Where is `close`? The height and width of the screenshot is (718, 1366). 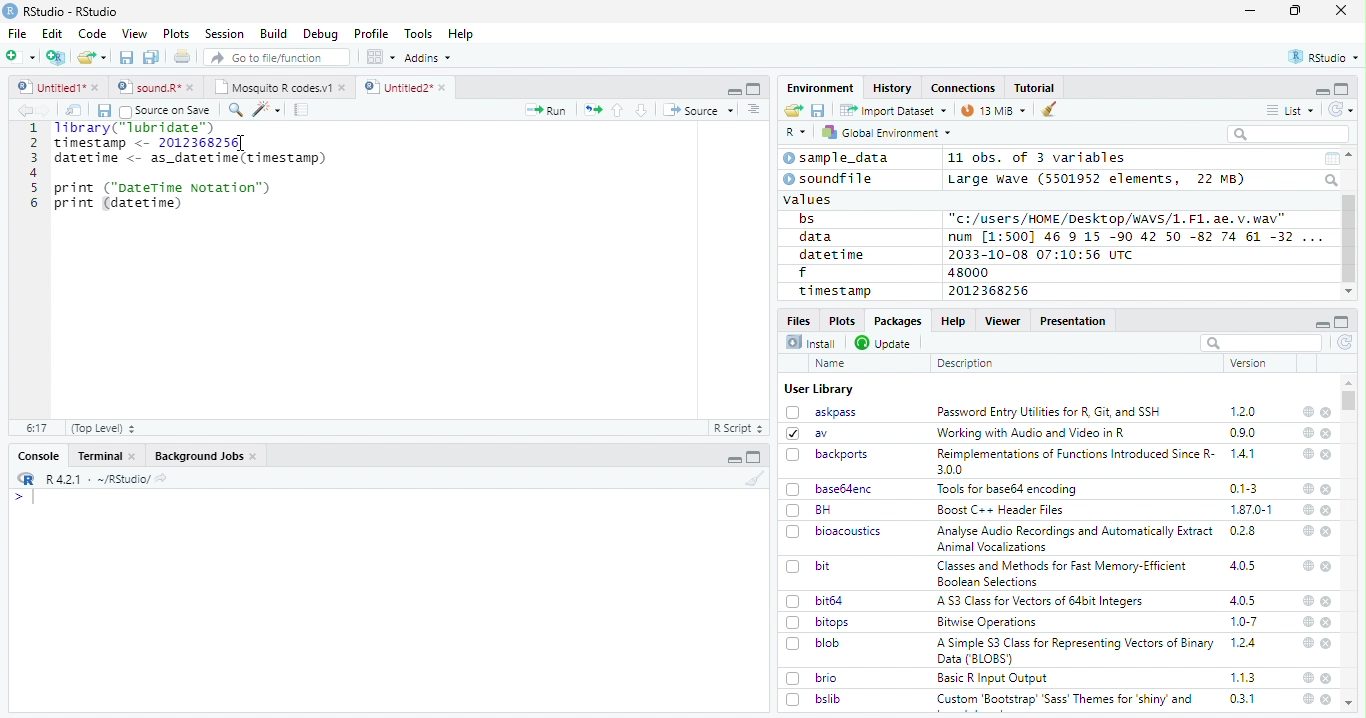
close is located at coordinates (1328, 602).